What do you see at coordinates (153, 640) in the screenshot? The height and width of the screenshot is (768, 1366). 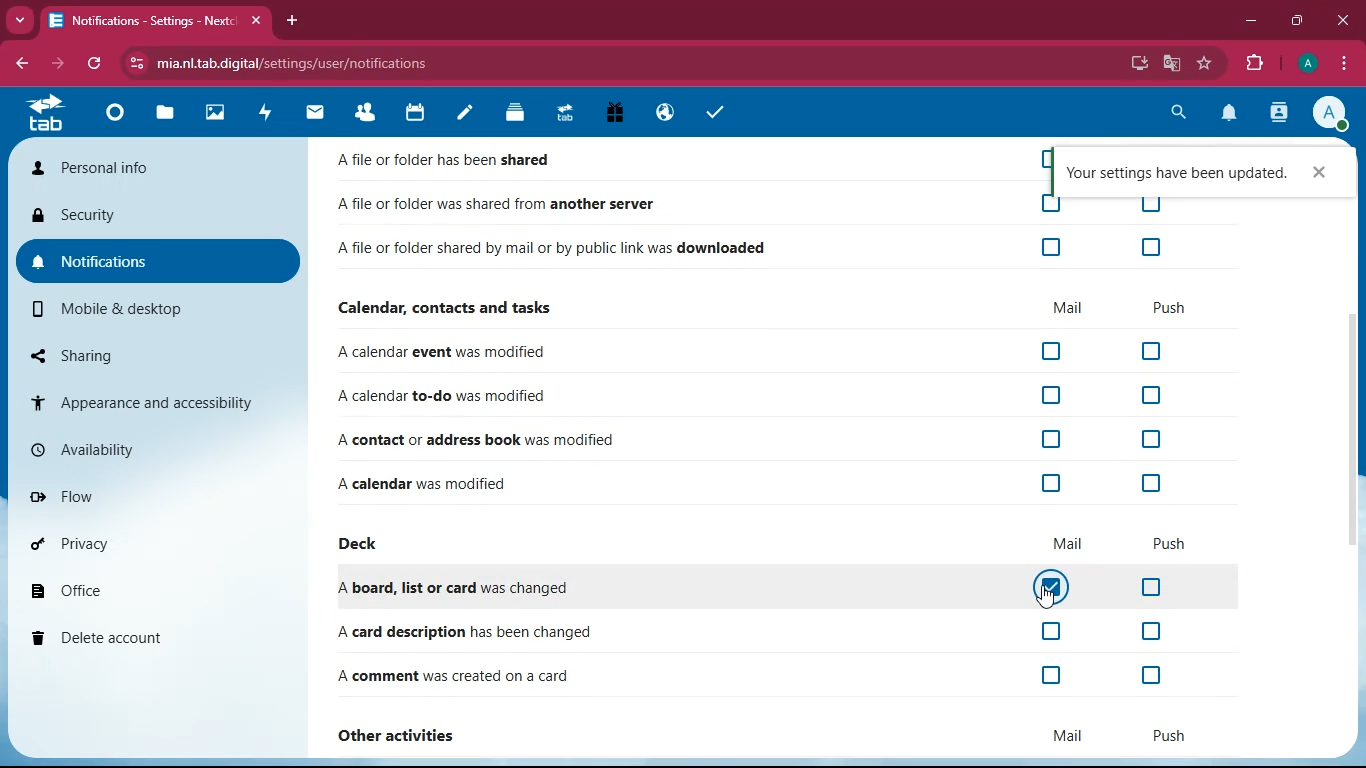 I see `delete account` at bounding box center [153, 640].